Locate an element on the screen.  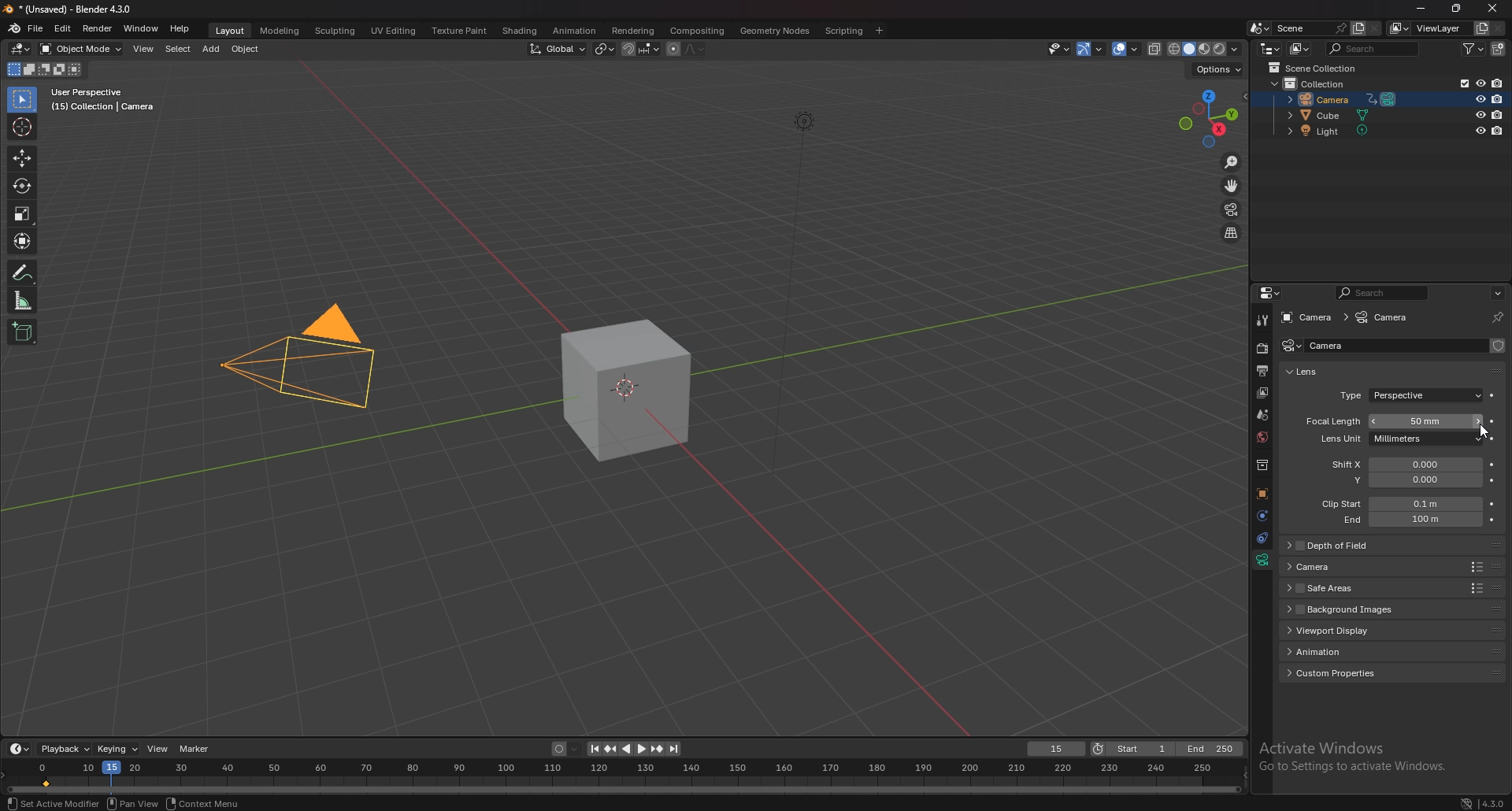
geometry nodes is located at coordinates (773, 30).